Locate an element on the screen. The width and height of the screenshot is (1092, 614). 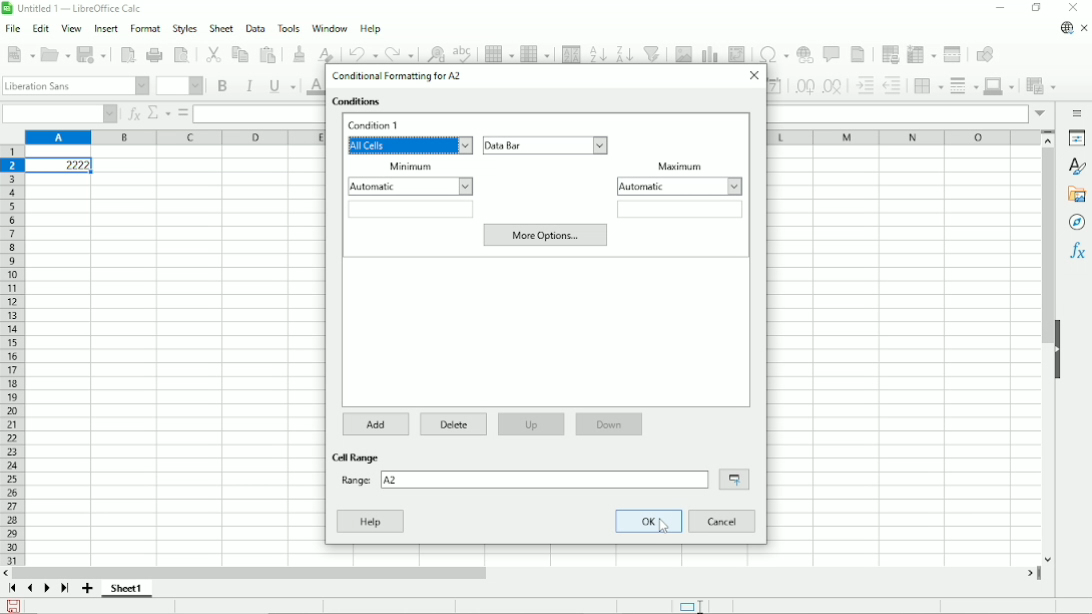
Insert hyperlink is located at coordinates (807, 53).